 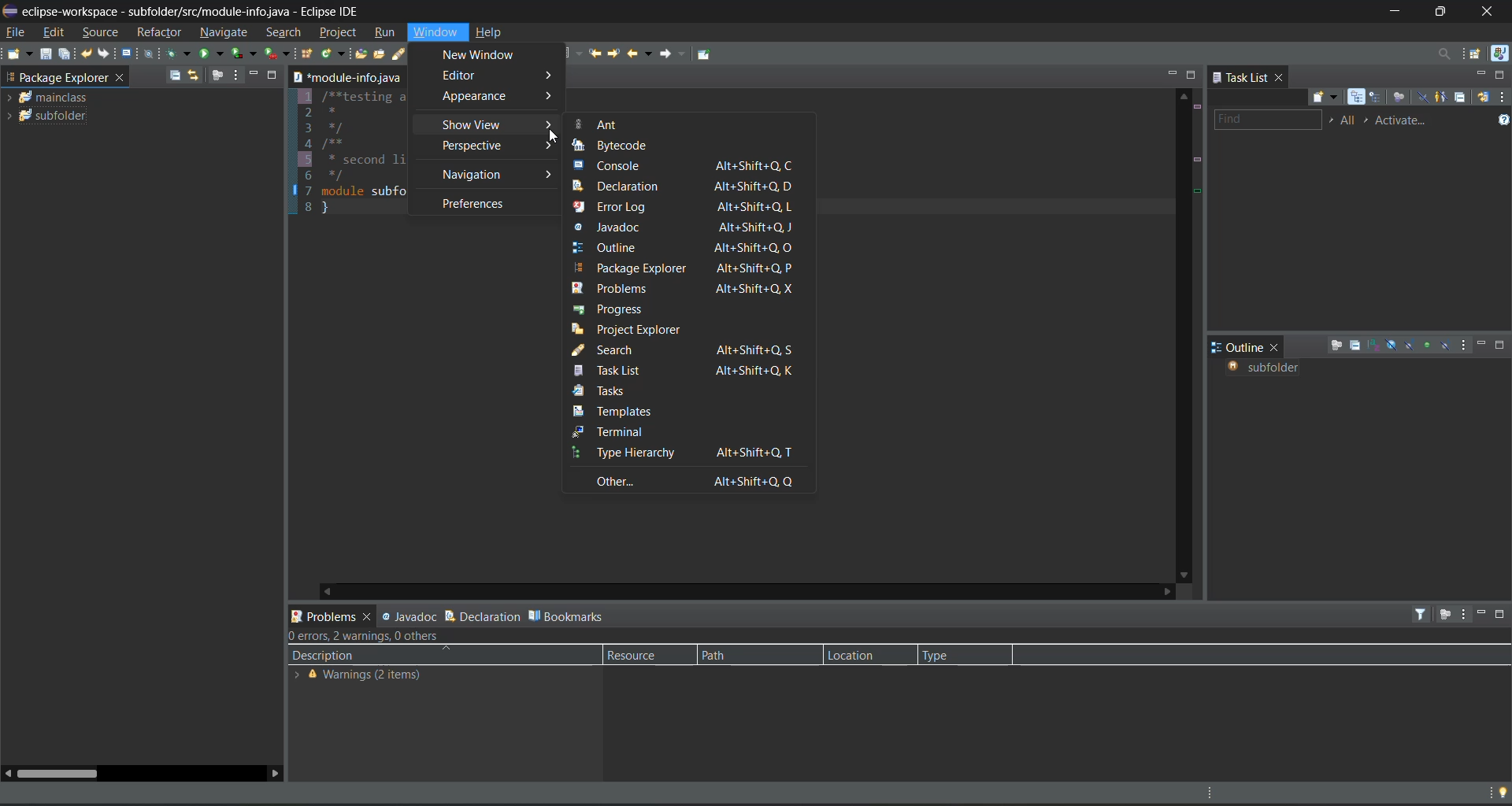 What do you see at coordinates (476, 204) in the screenshot?
I see `preferences` at bounding box center [476, 204].